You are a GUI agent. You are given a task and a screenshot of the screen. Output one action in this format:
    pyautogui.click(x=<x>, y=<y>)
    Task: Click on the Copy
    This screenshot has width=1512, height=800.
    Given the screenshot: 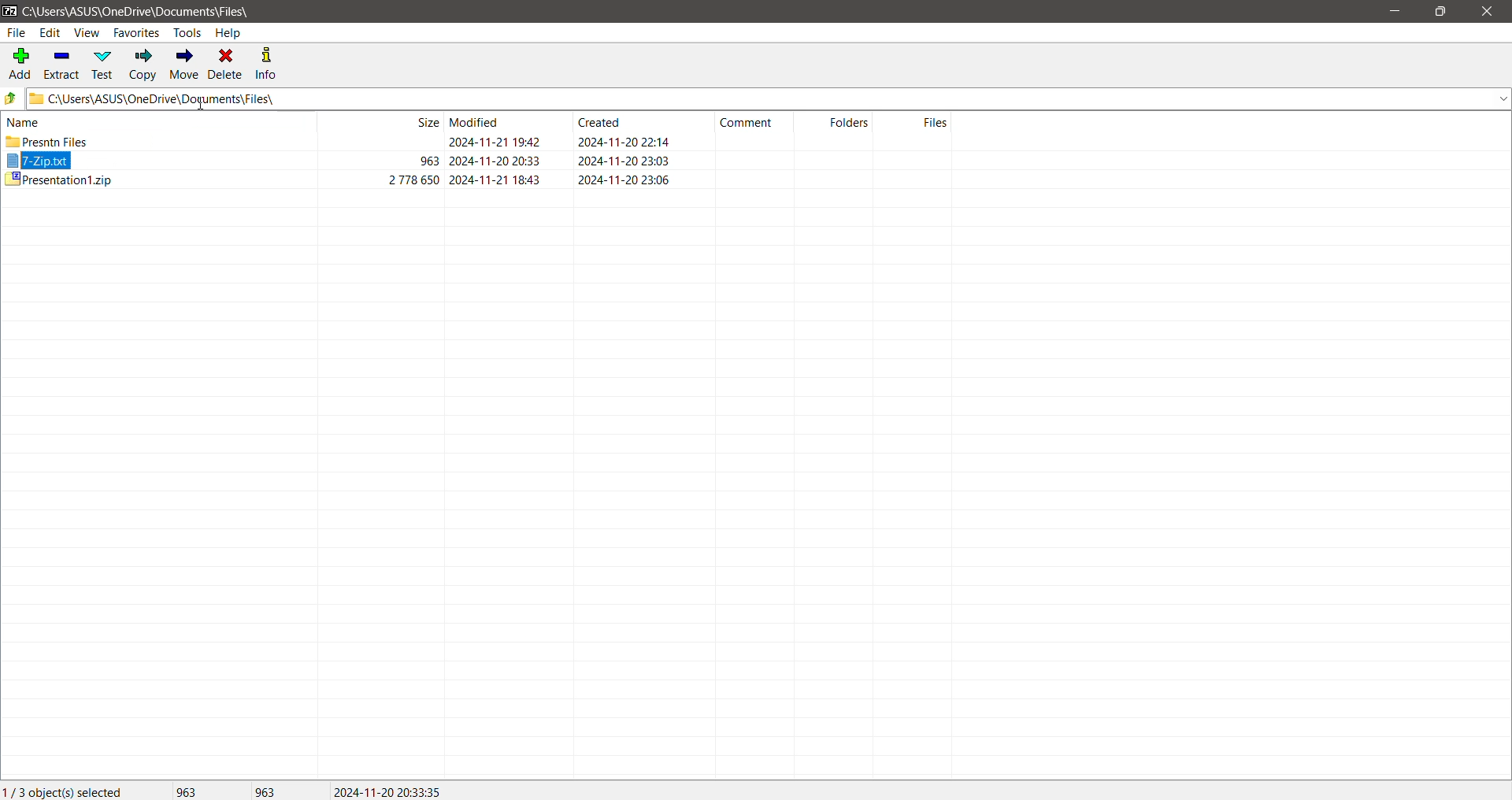 What is the action you would take?
    pyautogui.click(x=140, y=65)
    